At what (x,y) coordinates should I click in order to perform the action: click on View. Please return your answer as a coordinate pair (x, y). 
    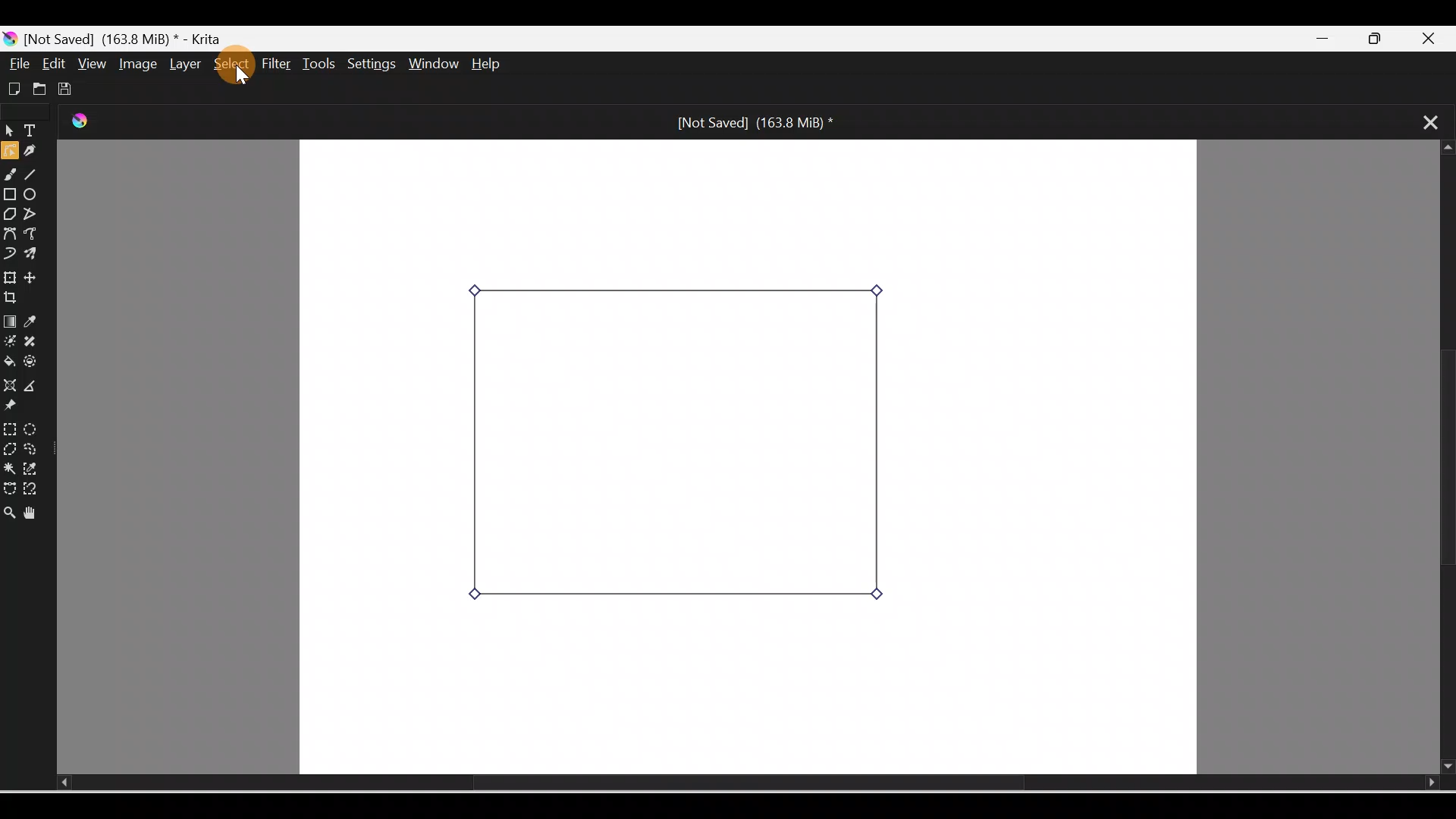
    Looking at the image, I should click on (89, 63).